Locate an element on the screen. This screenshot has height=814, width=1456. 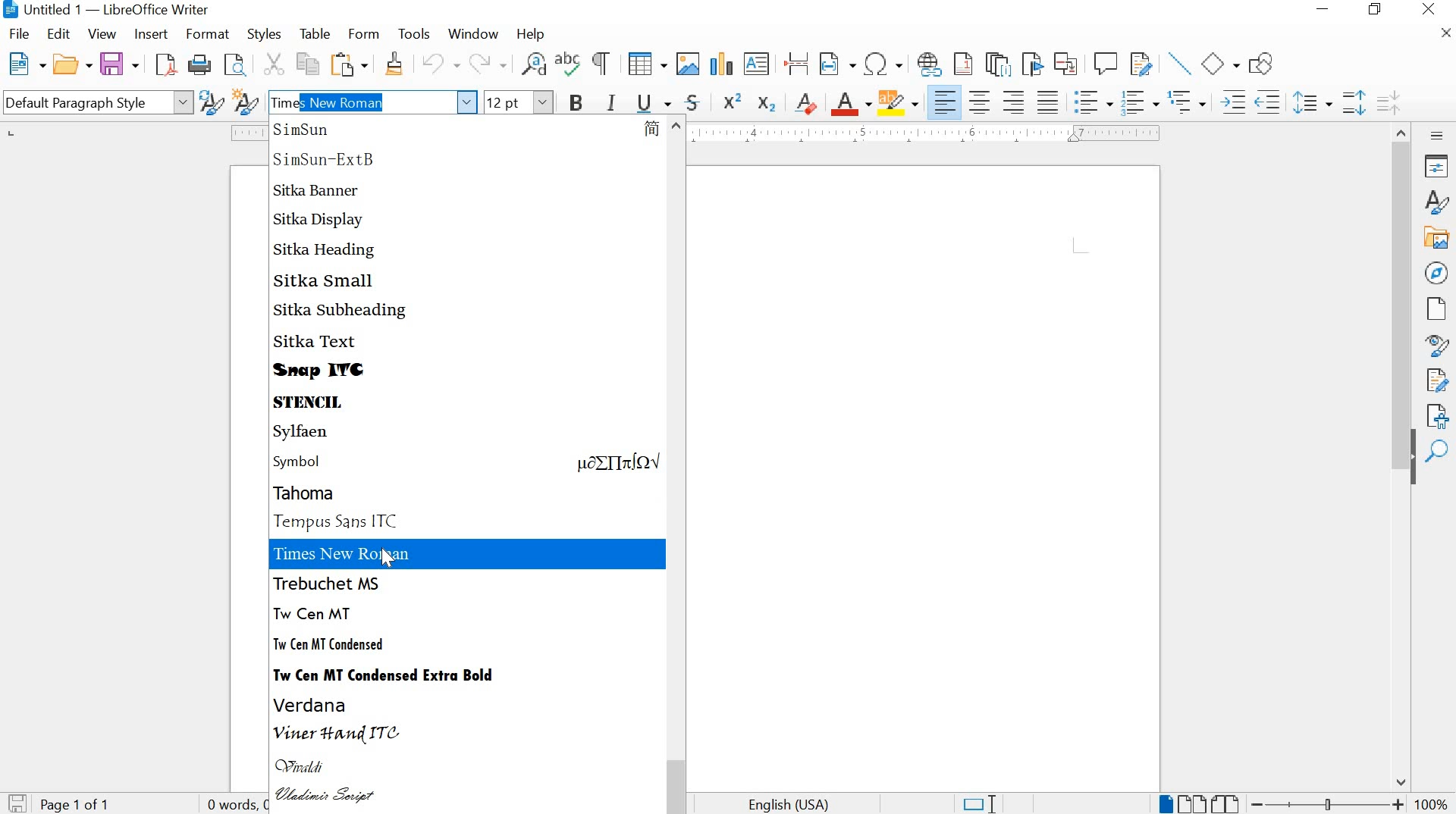
FORMAT is located at coordinates (209, 33).